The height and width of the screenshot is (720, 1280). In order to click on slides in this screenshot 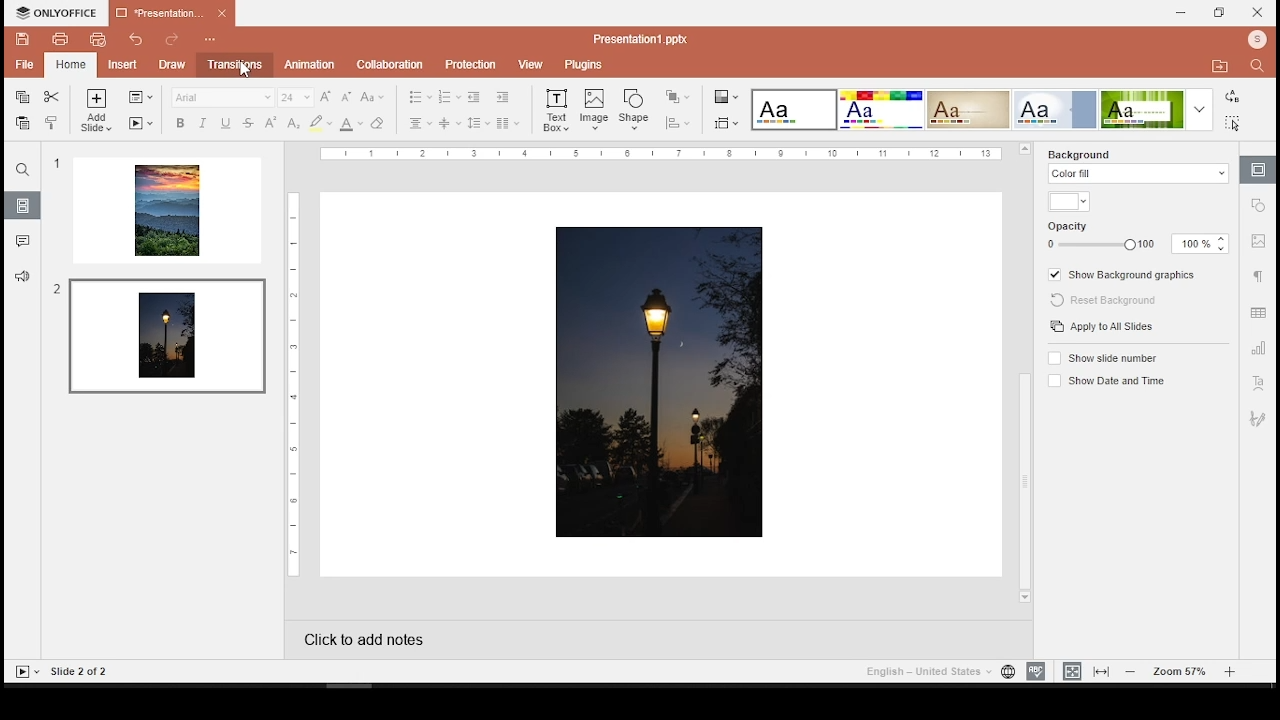, I will do `click(23, 206)`.